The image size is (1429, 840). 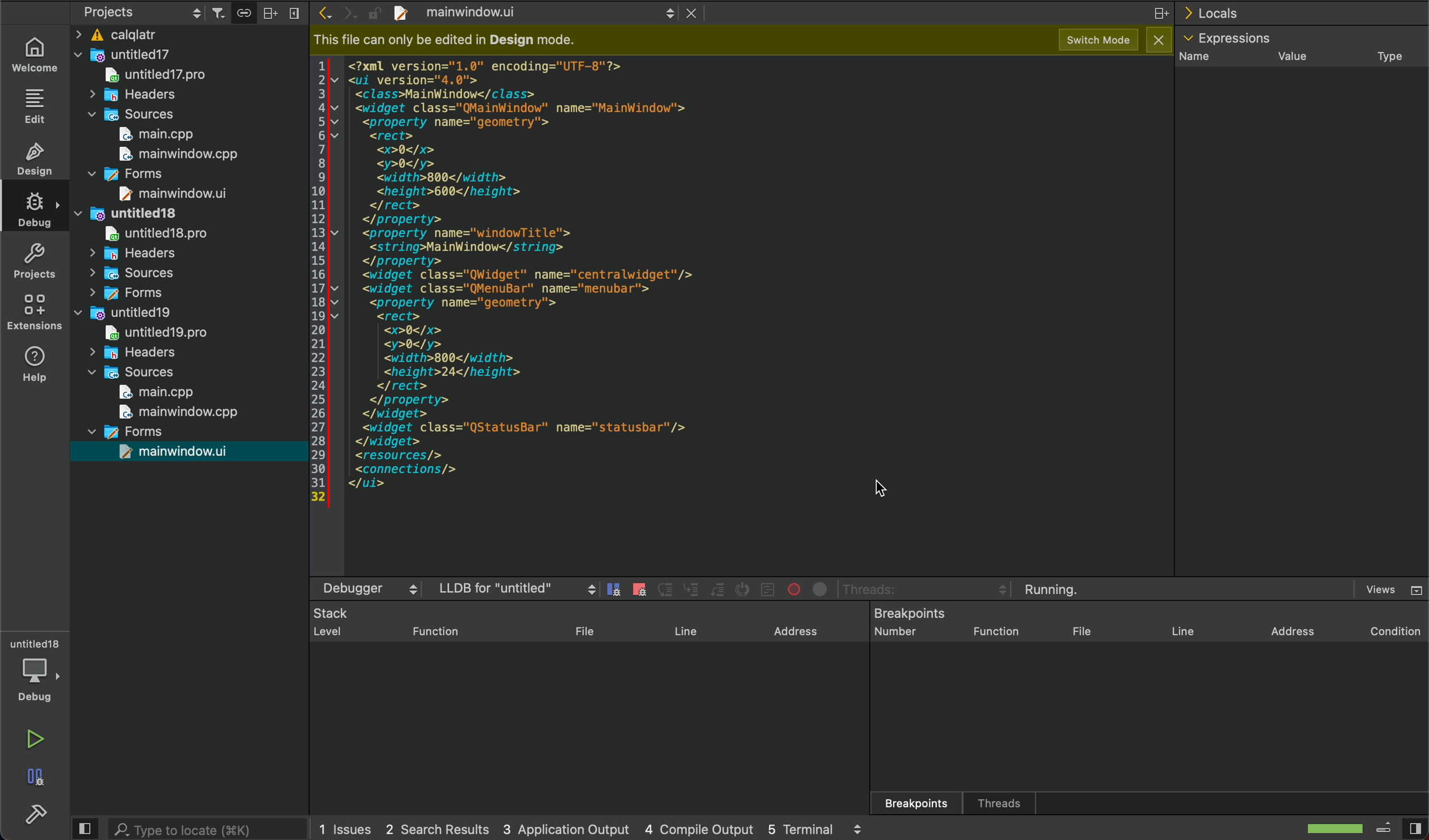 I want to click on Function, so click(x=999, y=631).